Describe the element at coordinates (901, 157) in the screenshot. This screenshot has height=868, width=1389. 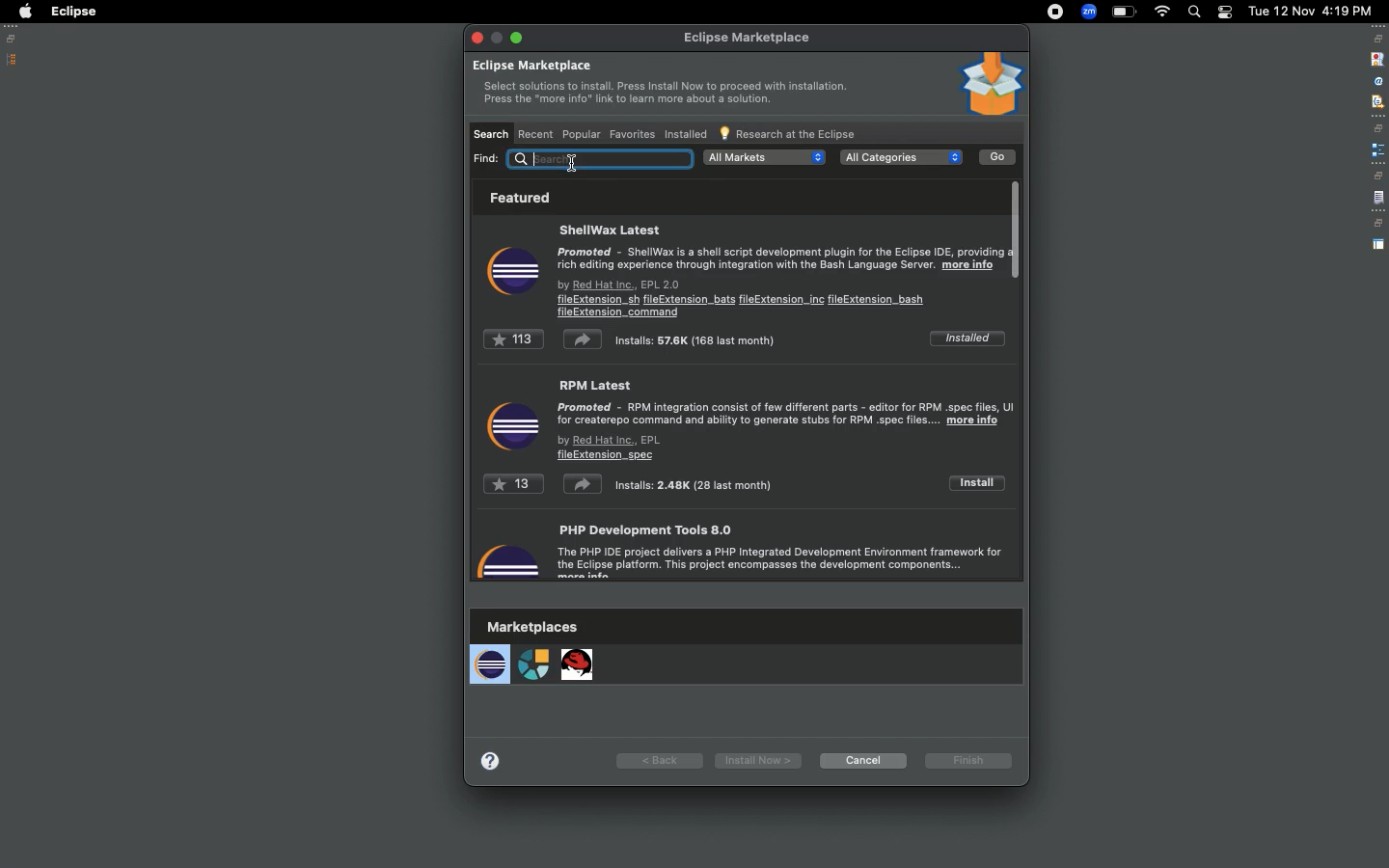
I see `all categories` at that location.